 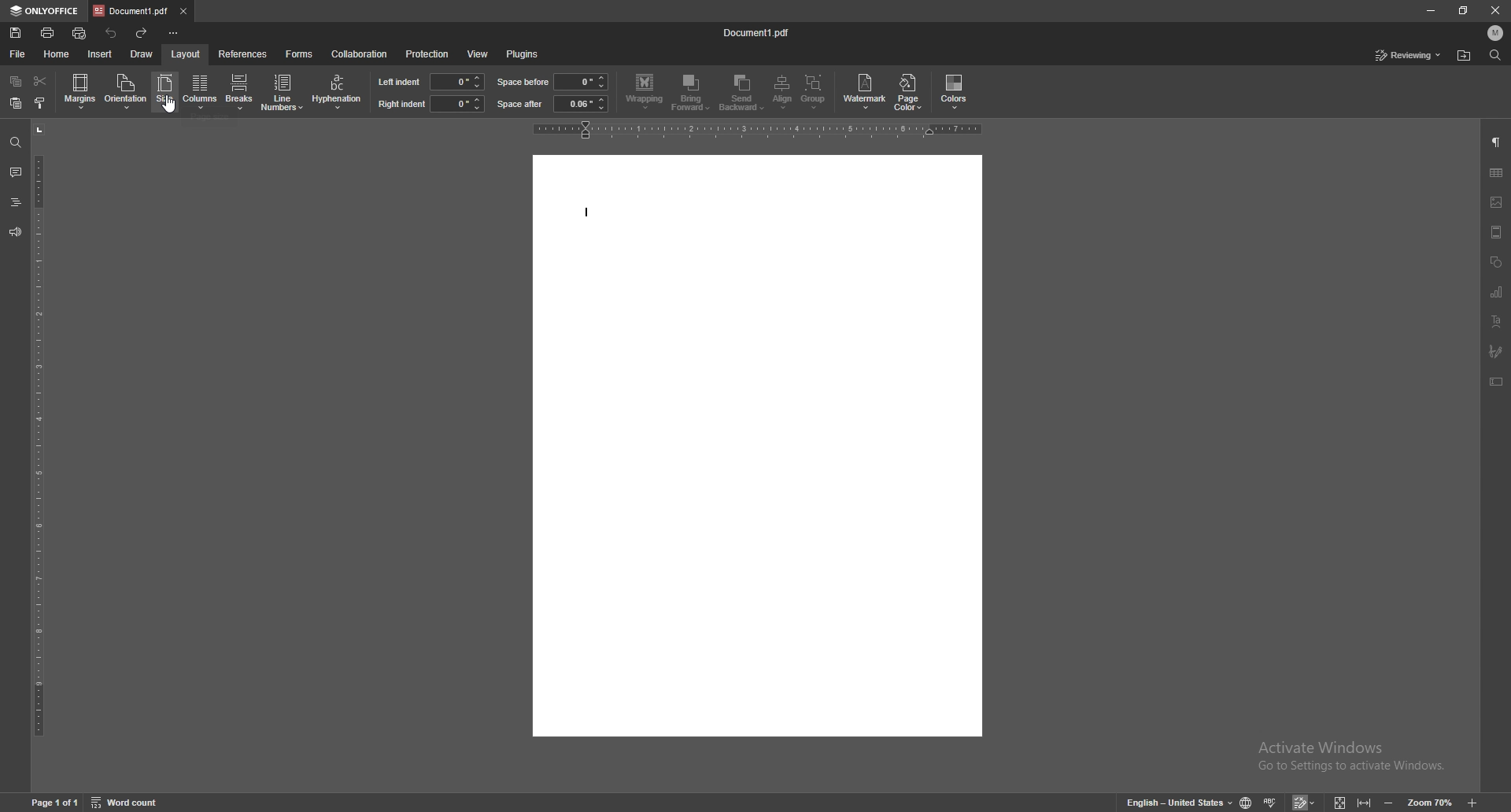 What do you see at coordinates (1429, 803) in the screenshot?
I see `zoom 70%` at bounding box center [1429, 803].